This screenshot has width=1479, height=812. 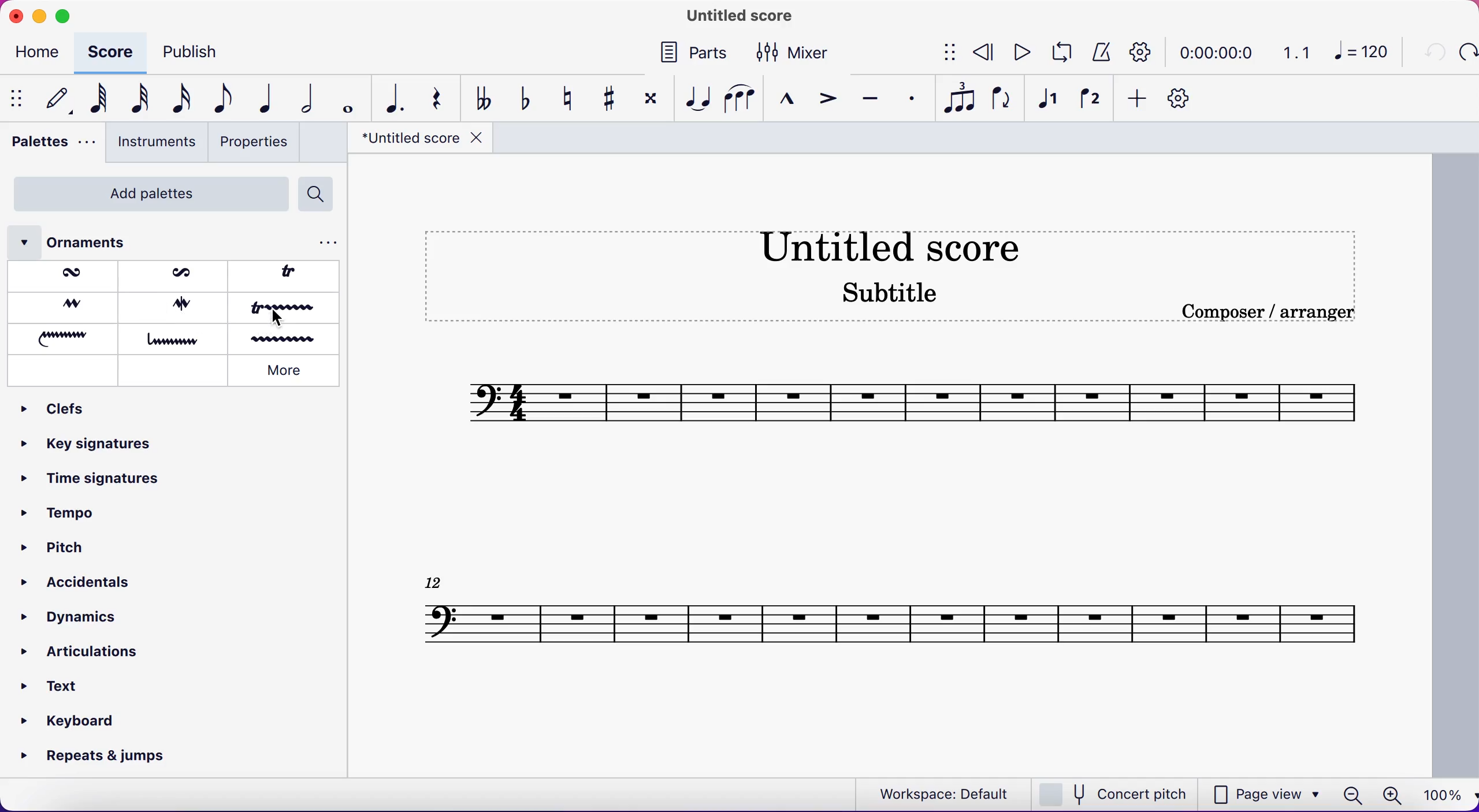 What do you see at coordinates (53, 546) in the screenshot?
I see `pitch` at bounding box center [53, 546].